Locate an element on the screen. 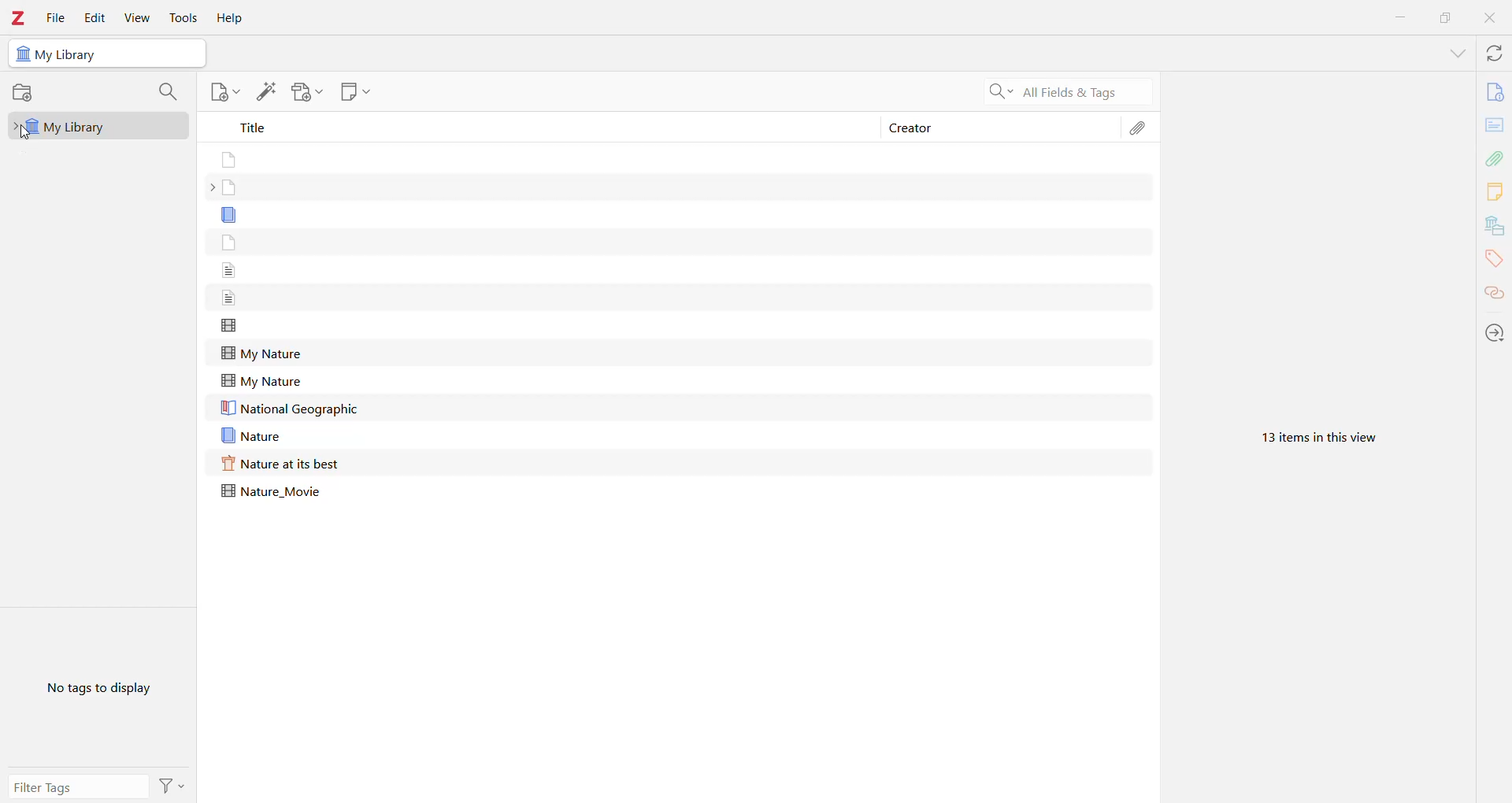  Search is located at coordinates (1062, 92).